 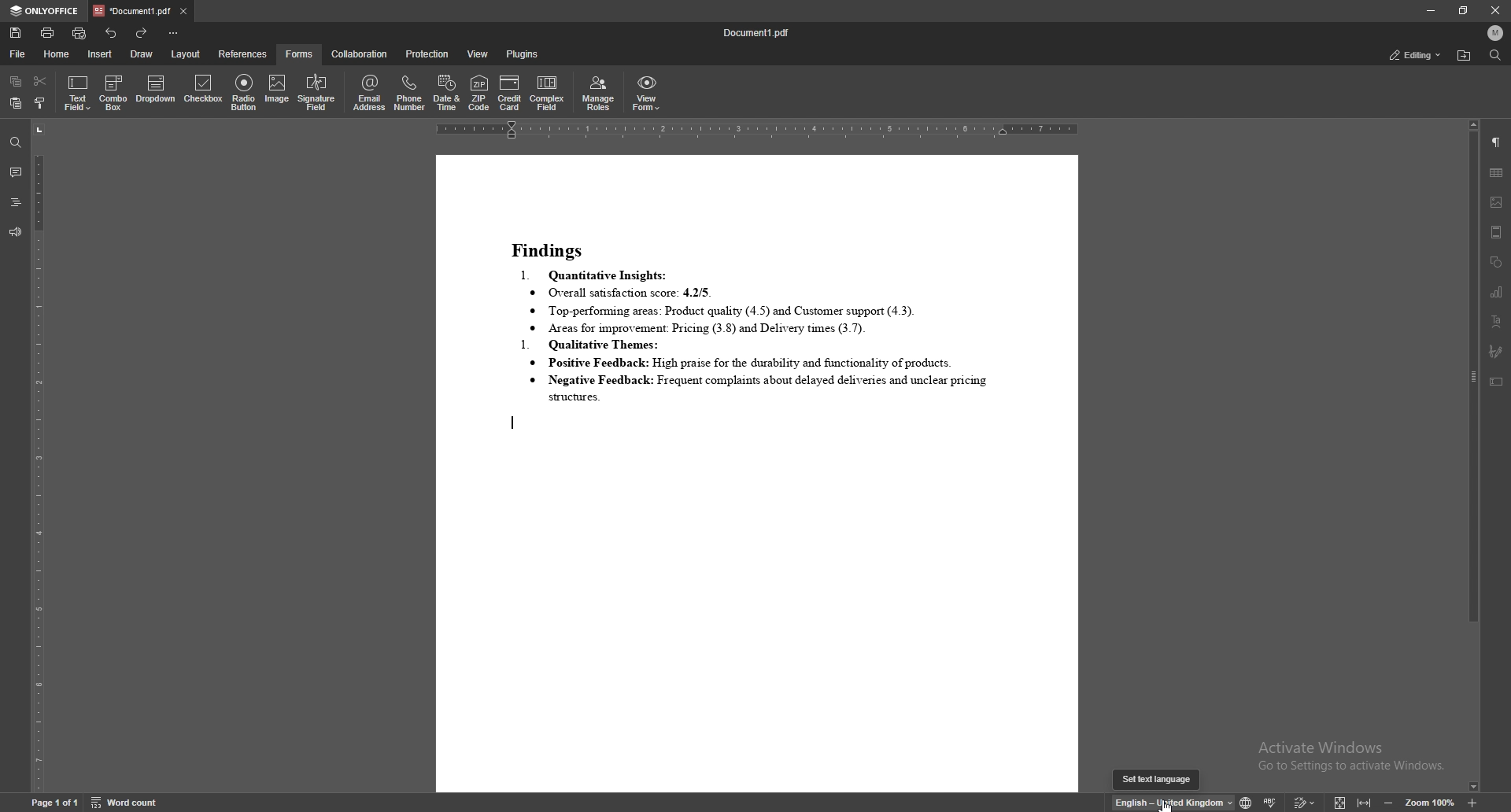 I want to click on close, so click(x=1493, y=10).